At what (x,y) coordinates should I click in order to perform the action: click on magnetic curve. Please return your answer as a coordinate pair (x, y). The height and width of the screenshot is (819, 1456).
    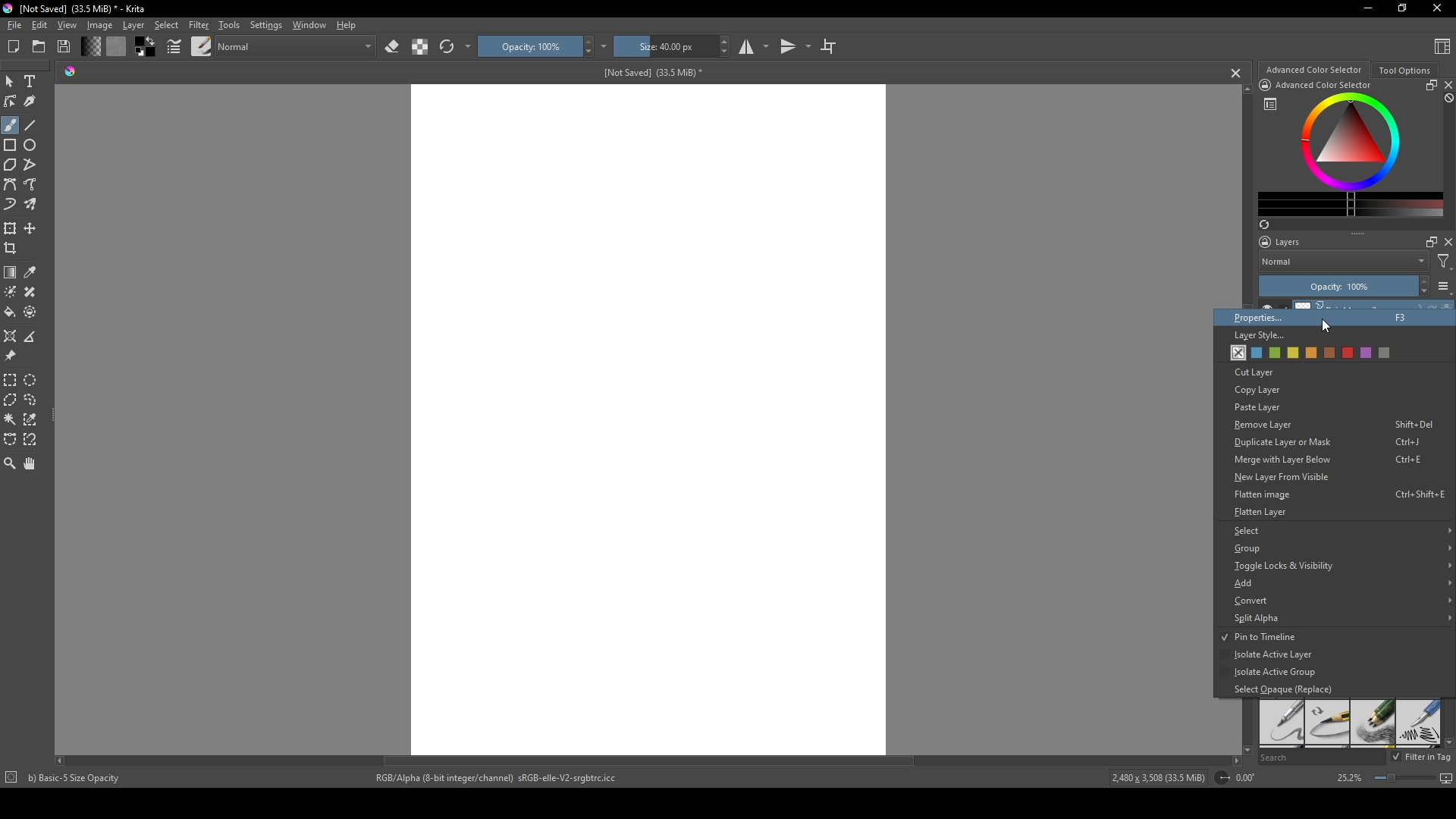
    Looking at the image, I should click on (32, 441).